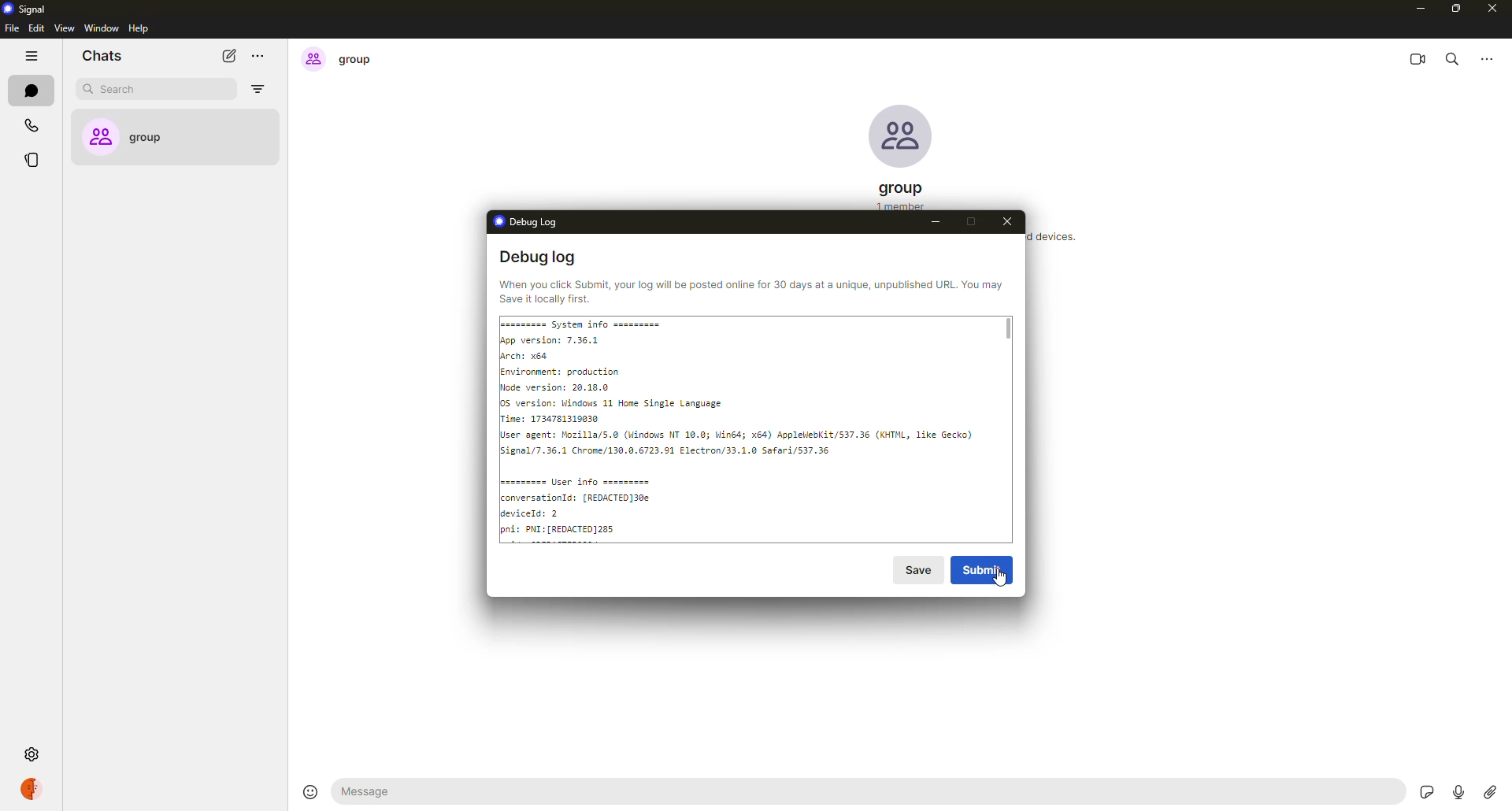  What do you see at coordinates (1456, 10) in the screenshot?
I see `maximize` at bounding box center [1456, 10].